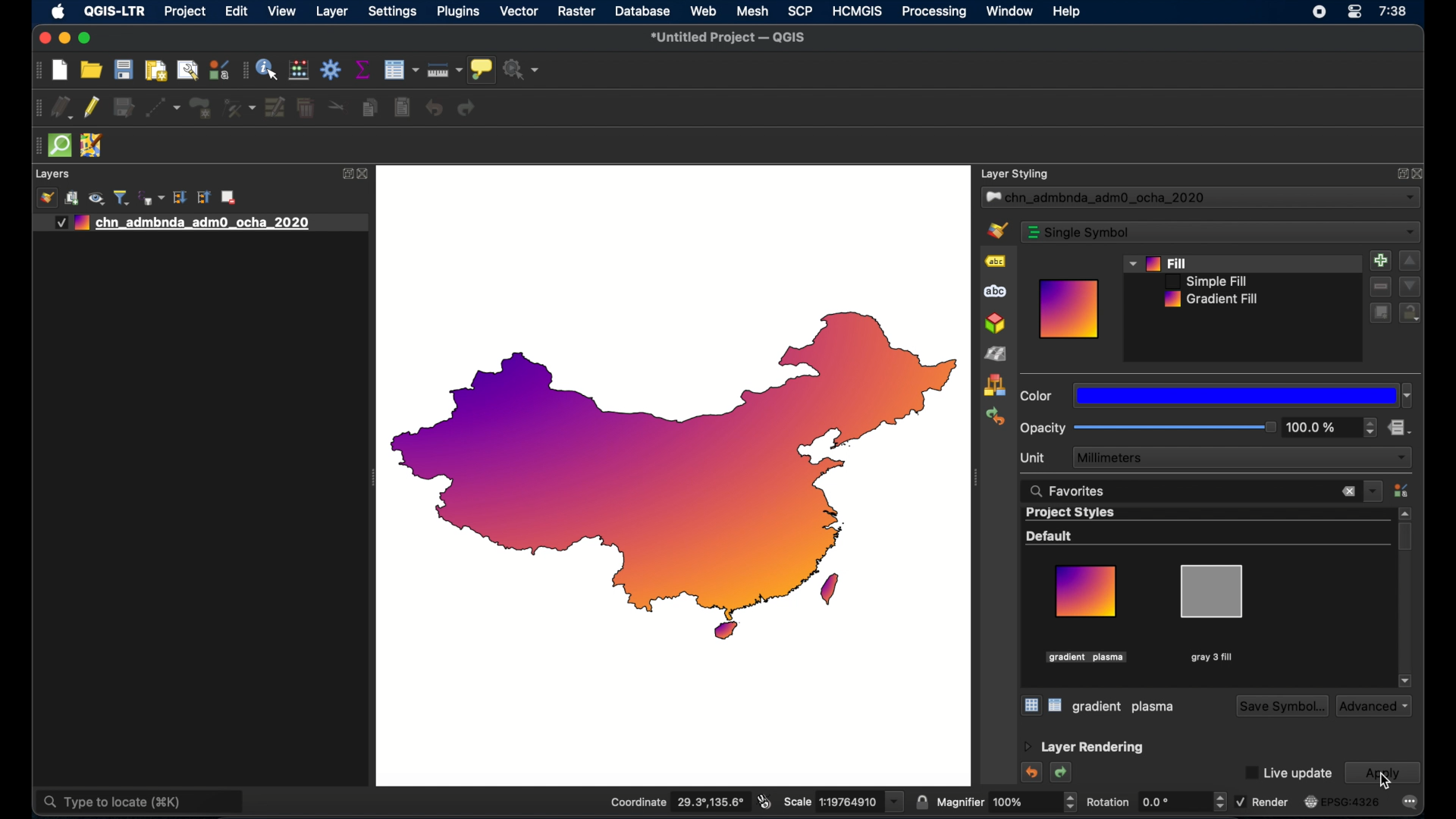  I want to click on apple icon, so click(59, 13).